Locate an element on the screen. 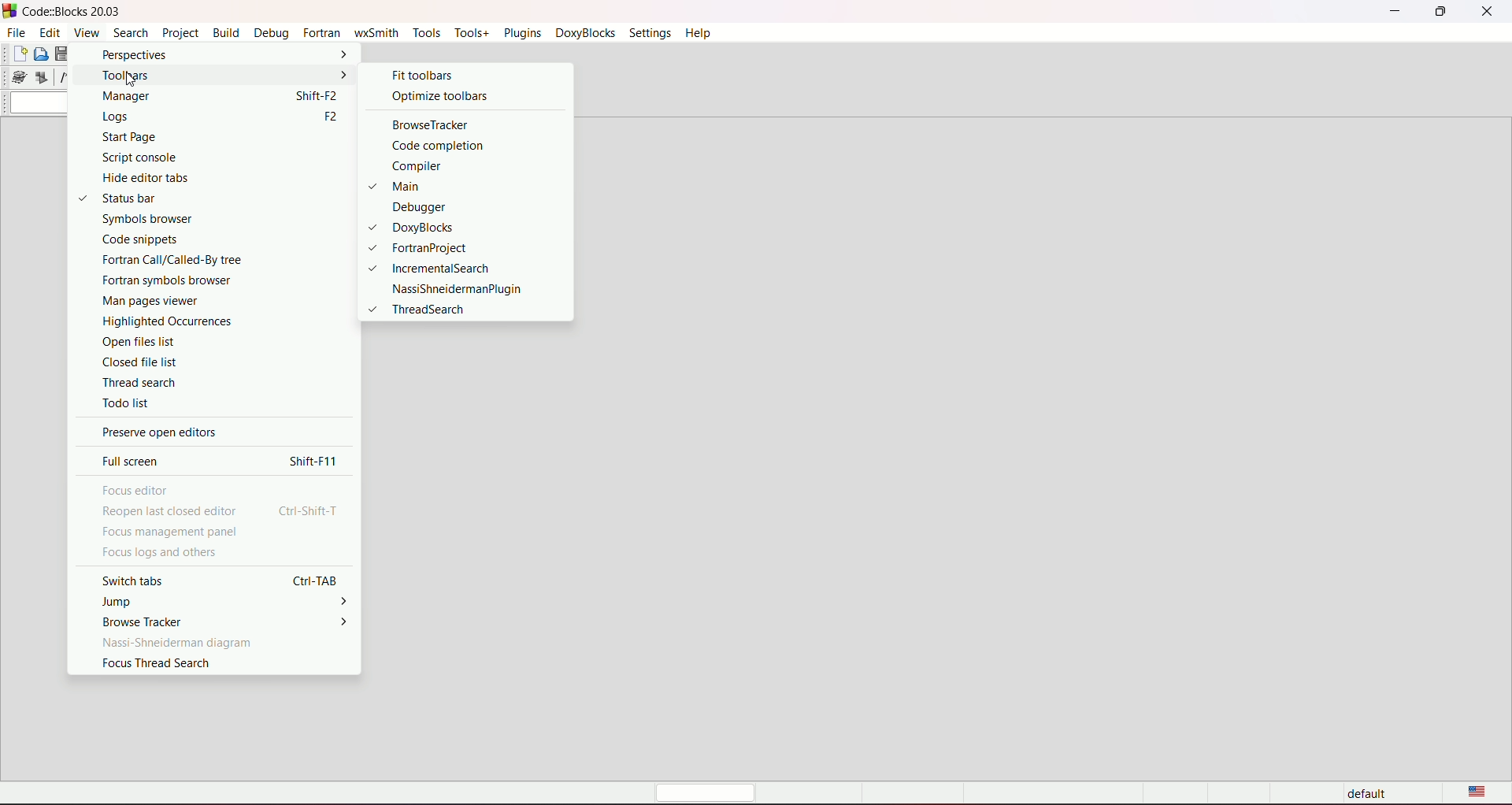  highlighted occurances is located at coordinates (200, 321).